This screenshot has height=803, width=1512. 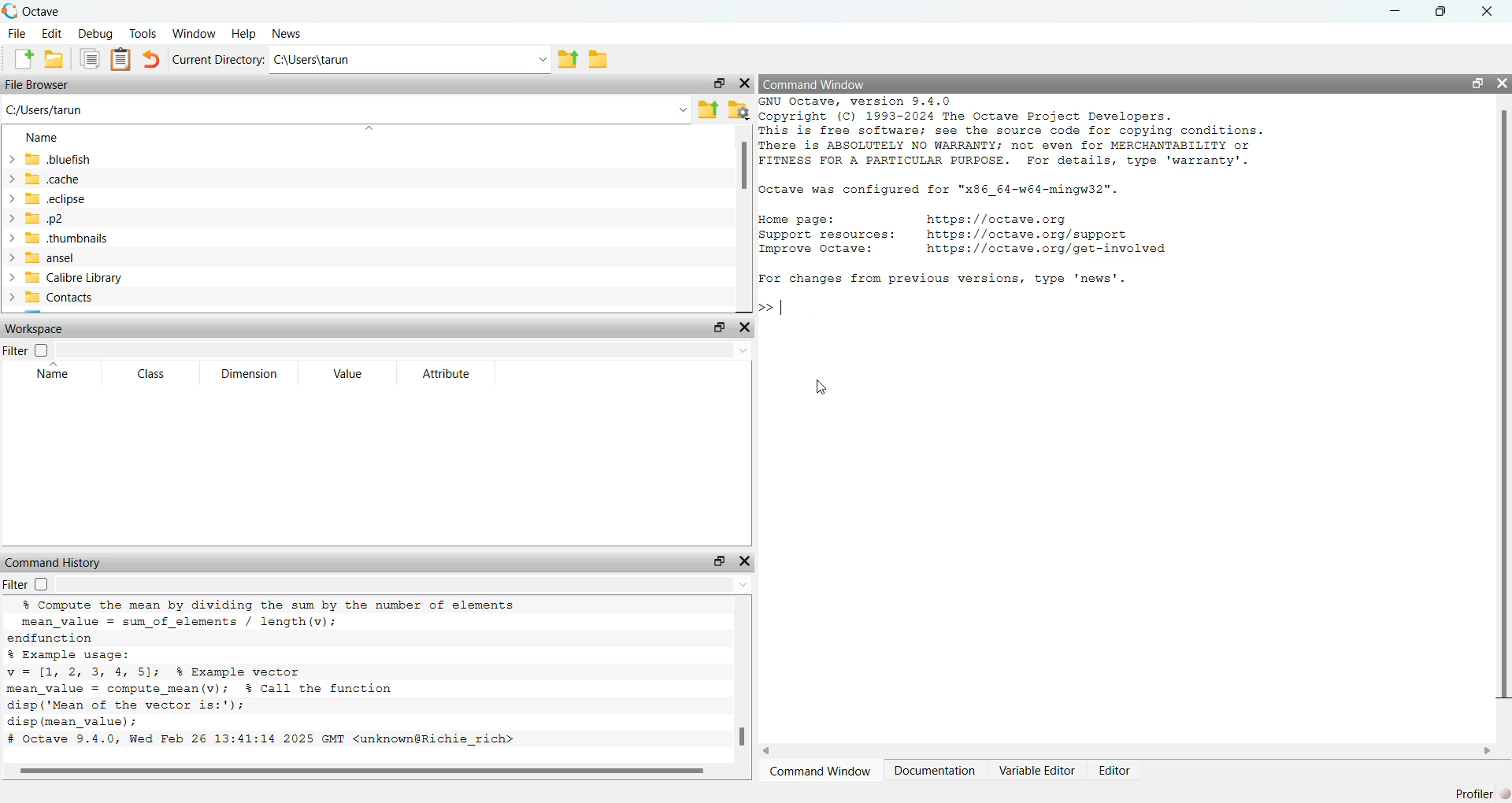 What do you see at coordinates (264, 674) in the screenshot?
I see `% Compute the mean by dividing the sum by the number of elements
mean_value = sum_of_elements / length (v);

endfunction

% Example usage:

v=1[1, 2, 3, 4 5]; % Example vector

mean_value = compute mean(v); % Call the function

disp('Mean of the vector is:');

disp (mean_value) ;

# Octave 9.4.0, Wed Feb 26 13:41:14 2025 GMT <unknown@Richie_rich>` at bounding box center [264, 674].